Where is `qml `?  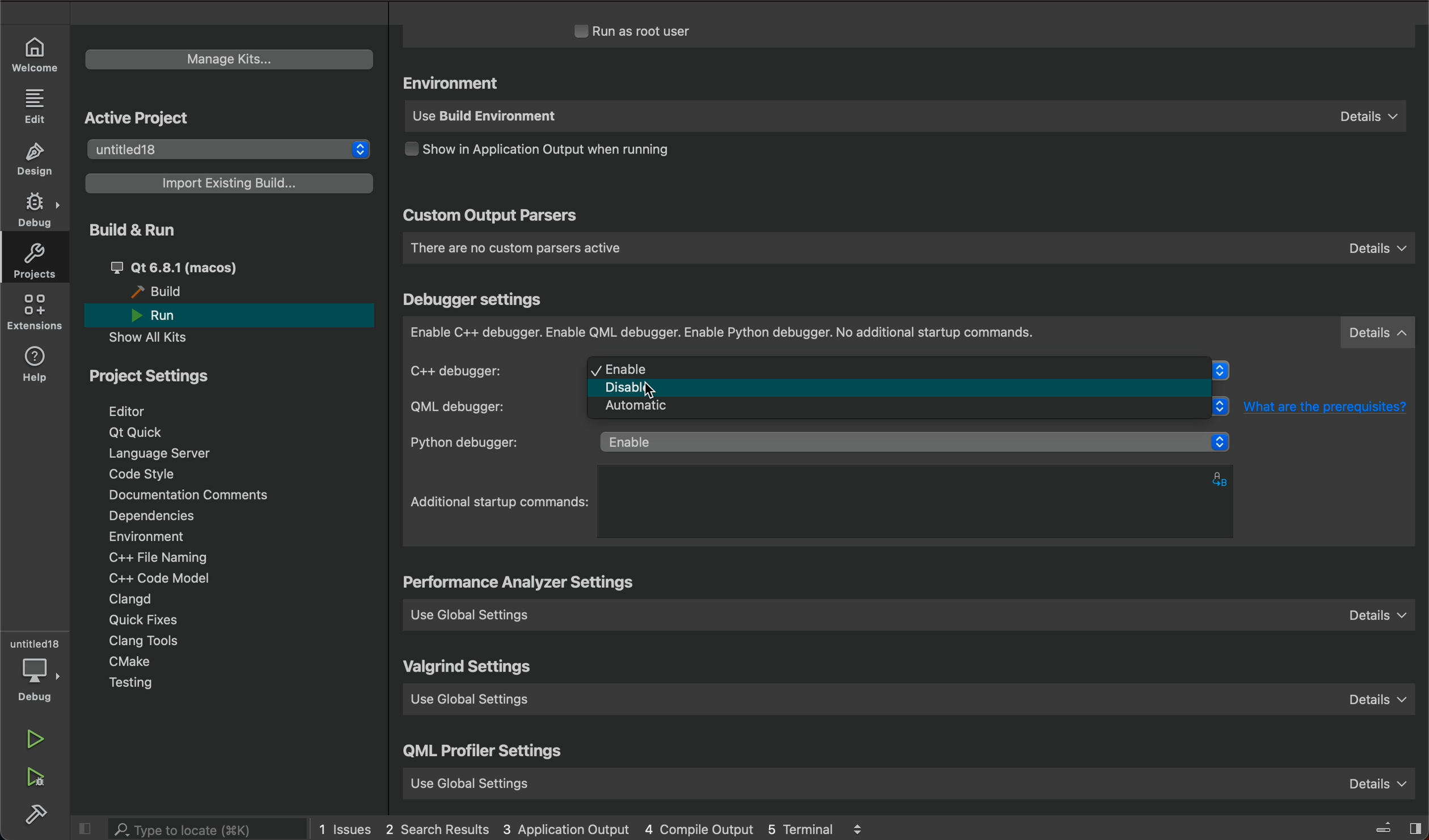
qml  is located at coordinates (484, 754).